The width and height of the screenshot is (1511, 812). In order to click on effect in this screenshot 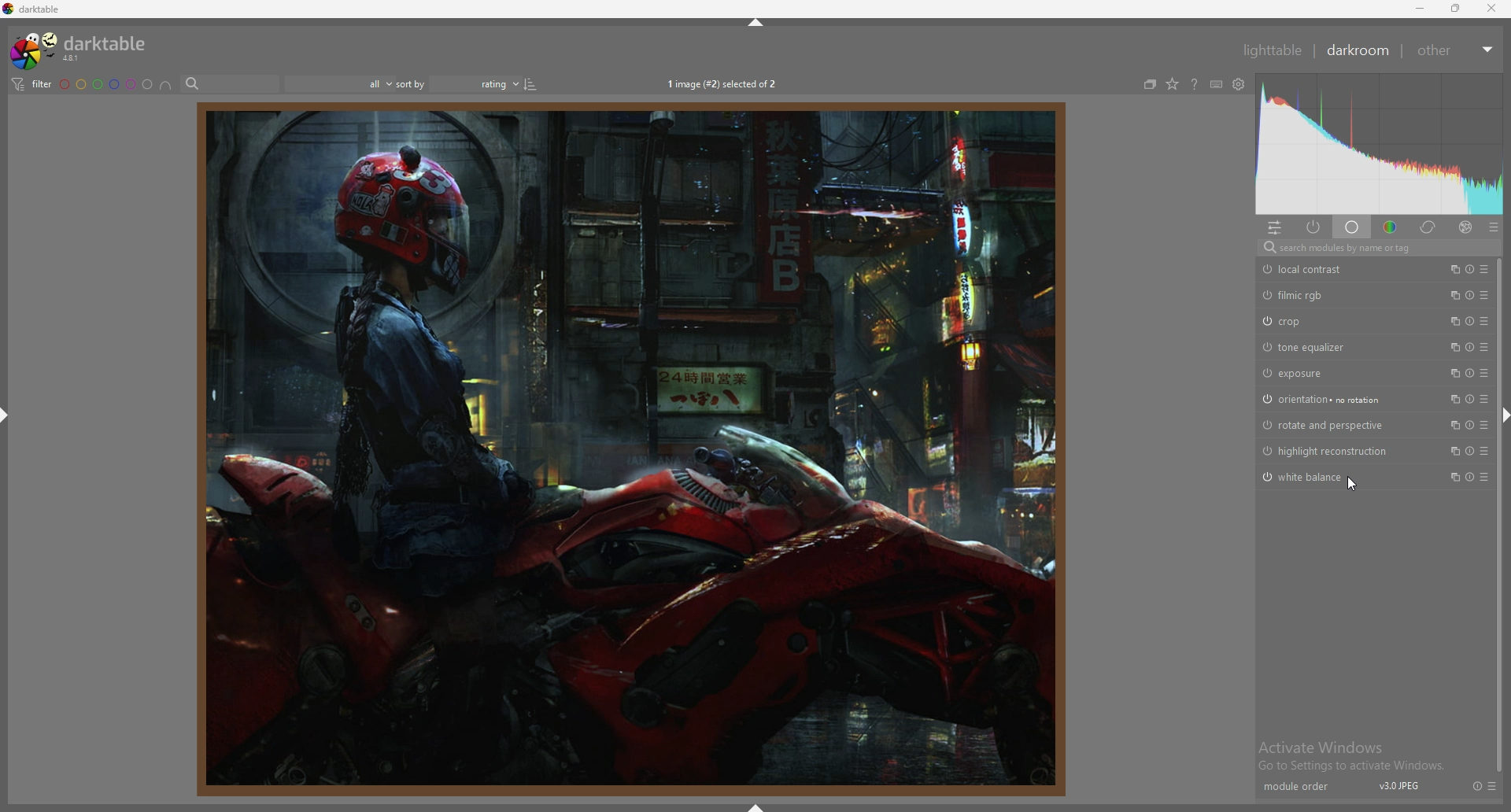, I will do `click(1465, 228)`.